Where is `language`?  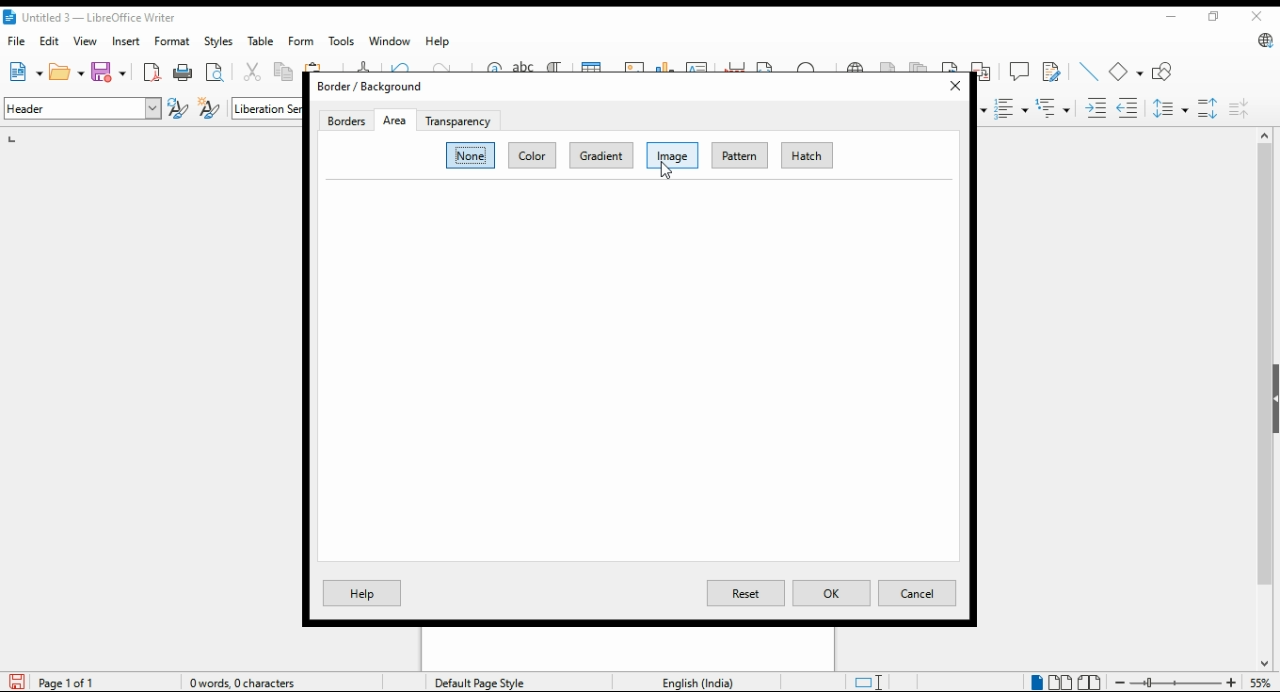 language is located at coordinates (696, 681).